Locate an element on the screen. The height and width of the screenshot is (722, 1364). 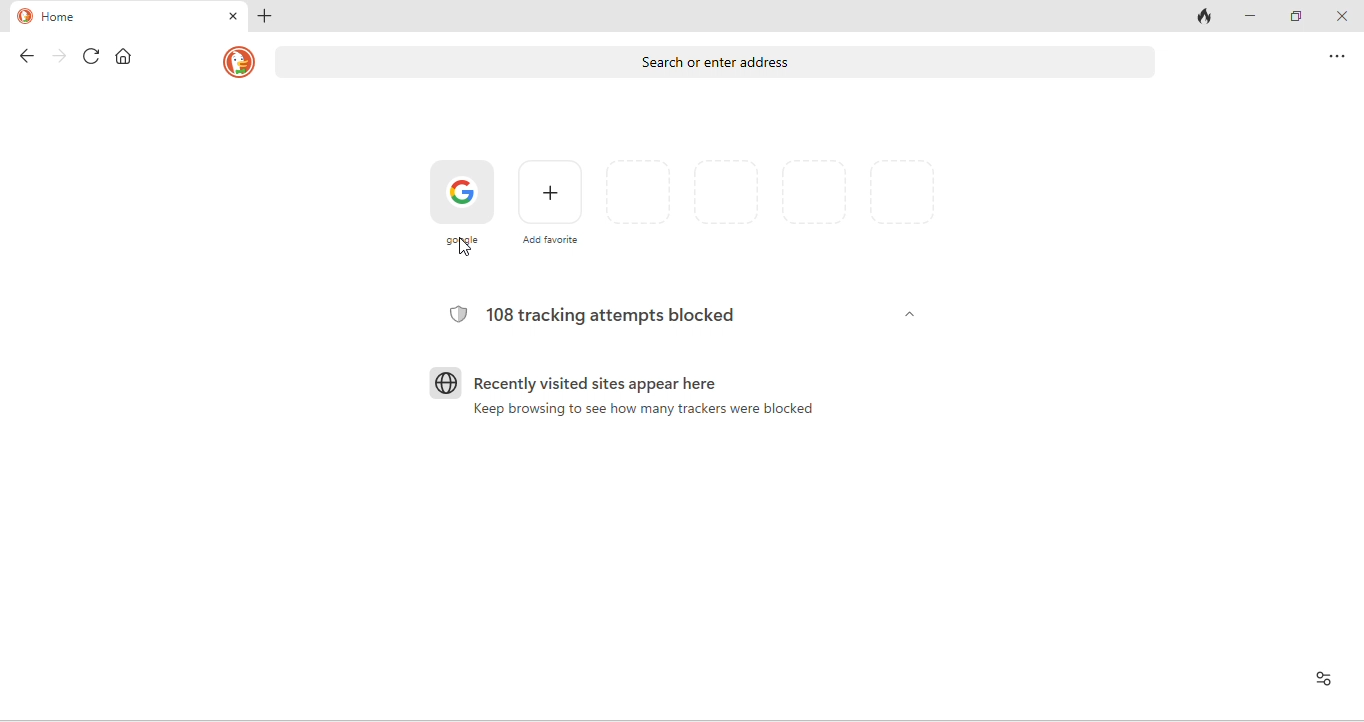
View site information is located at coordinates (1323, 678).